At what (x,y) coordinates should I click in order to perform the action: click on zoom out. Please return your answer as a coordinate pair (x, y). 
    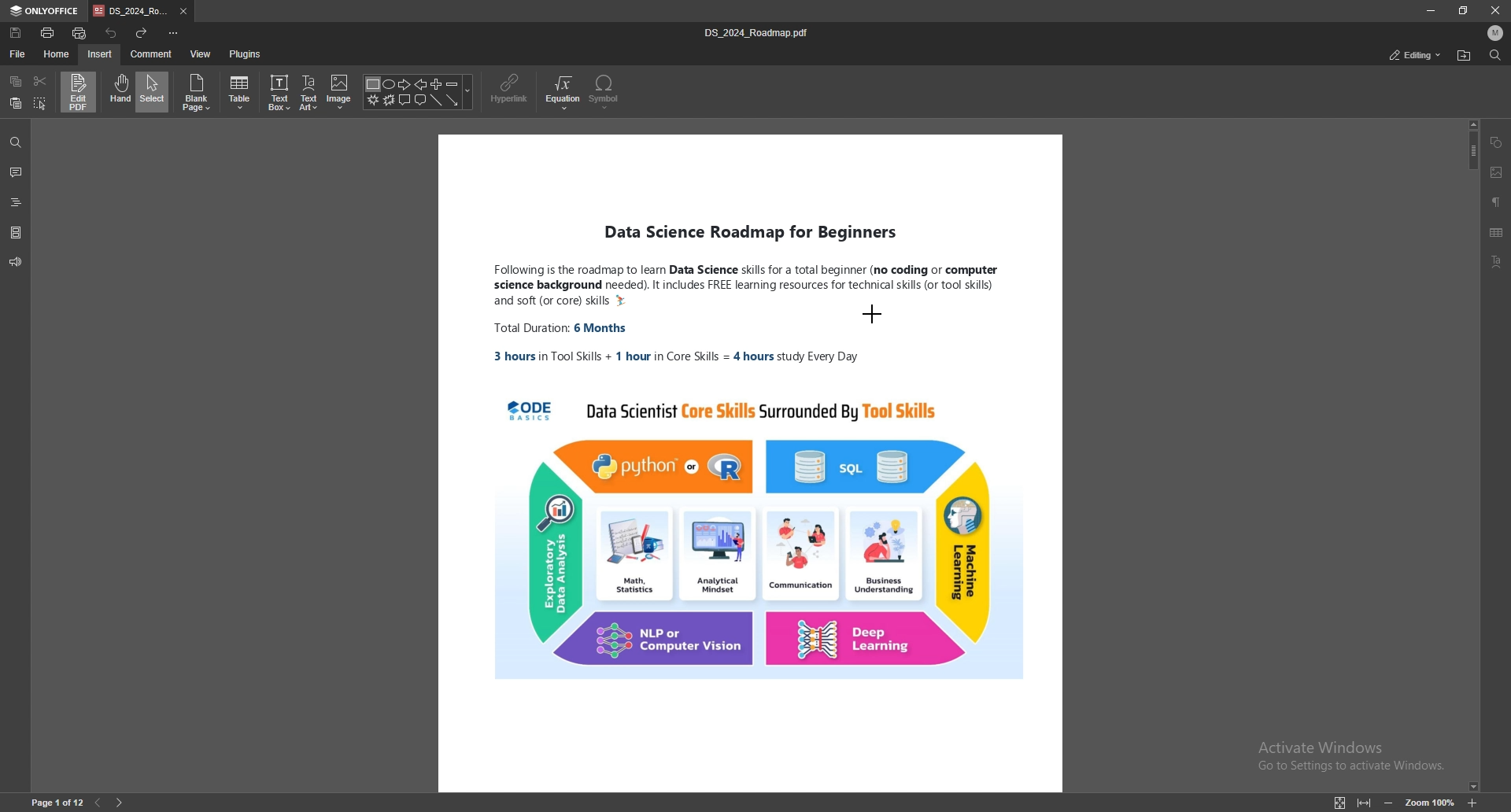
    Looking at the image, I should click on (1388, 803).